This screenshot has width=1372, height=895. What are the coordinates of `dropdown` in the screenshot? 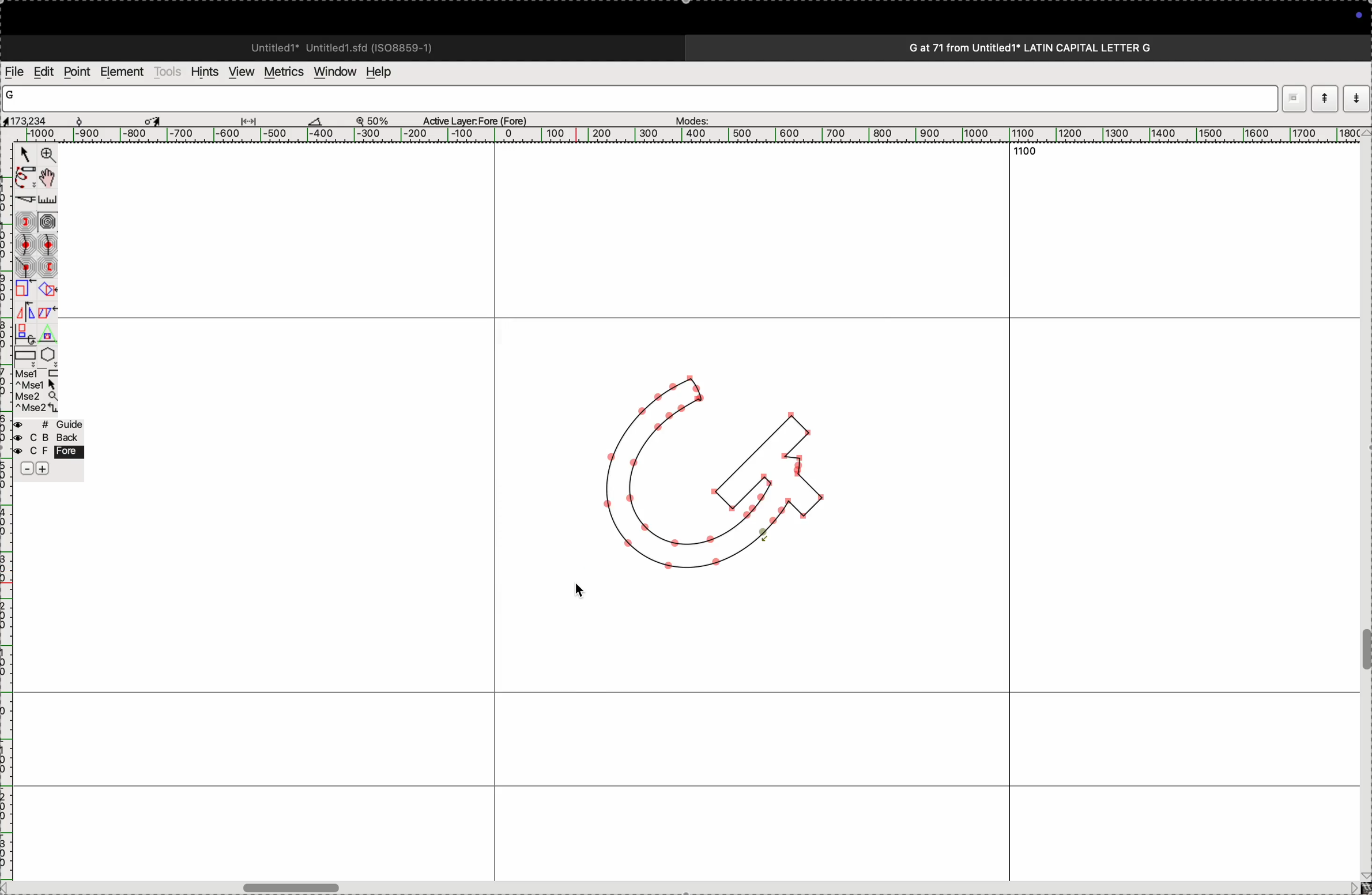 It's located at (1294, 97).